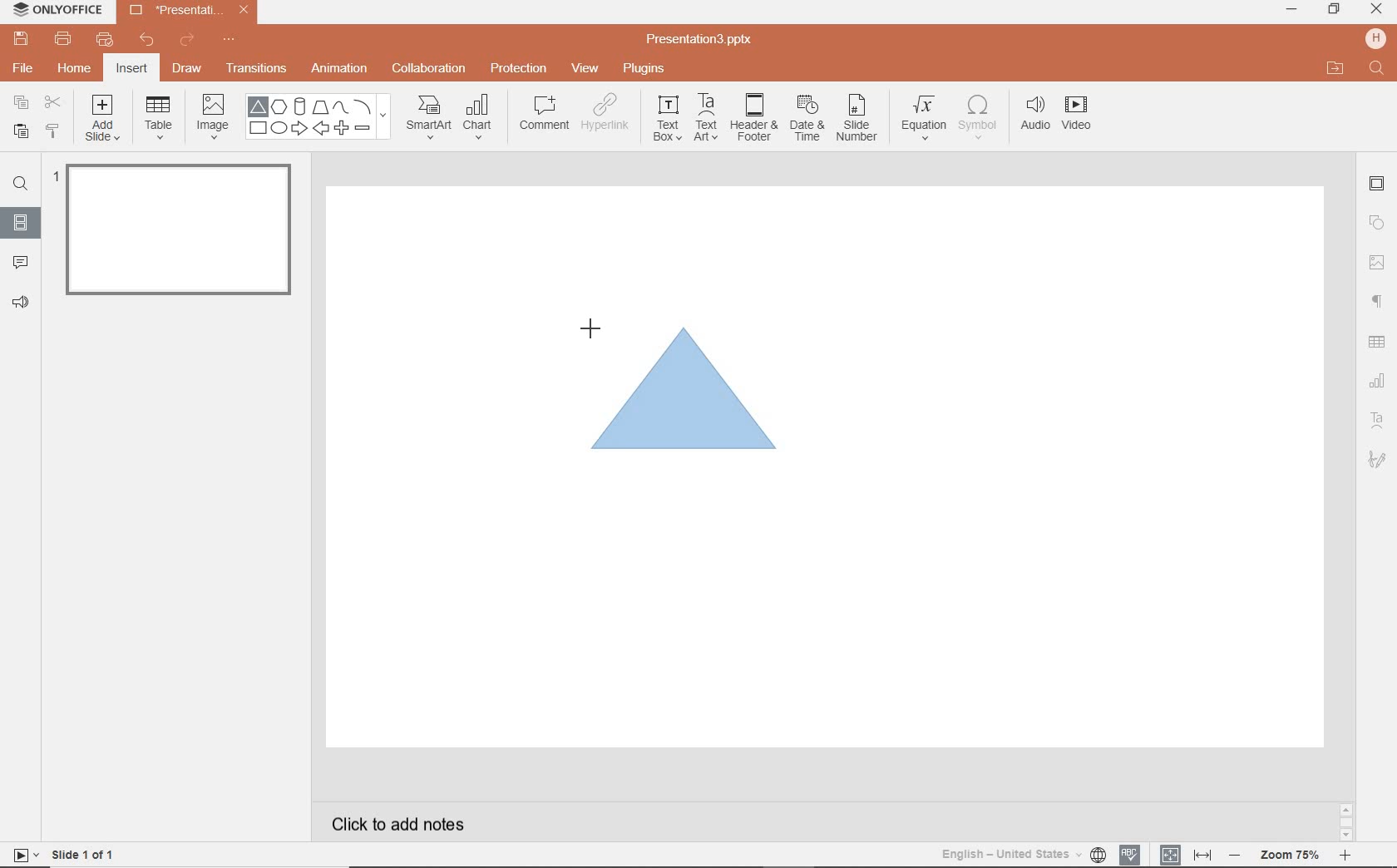  Describe the element at coordinates (1377, 342) in the screenshot. I see `TABLE SETTINGS` at that location.